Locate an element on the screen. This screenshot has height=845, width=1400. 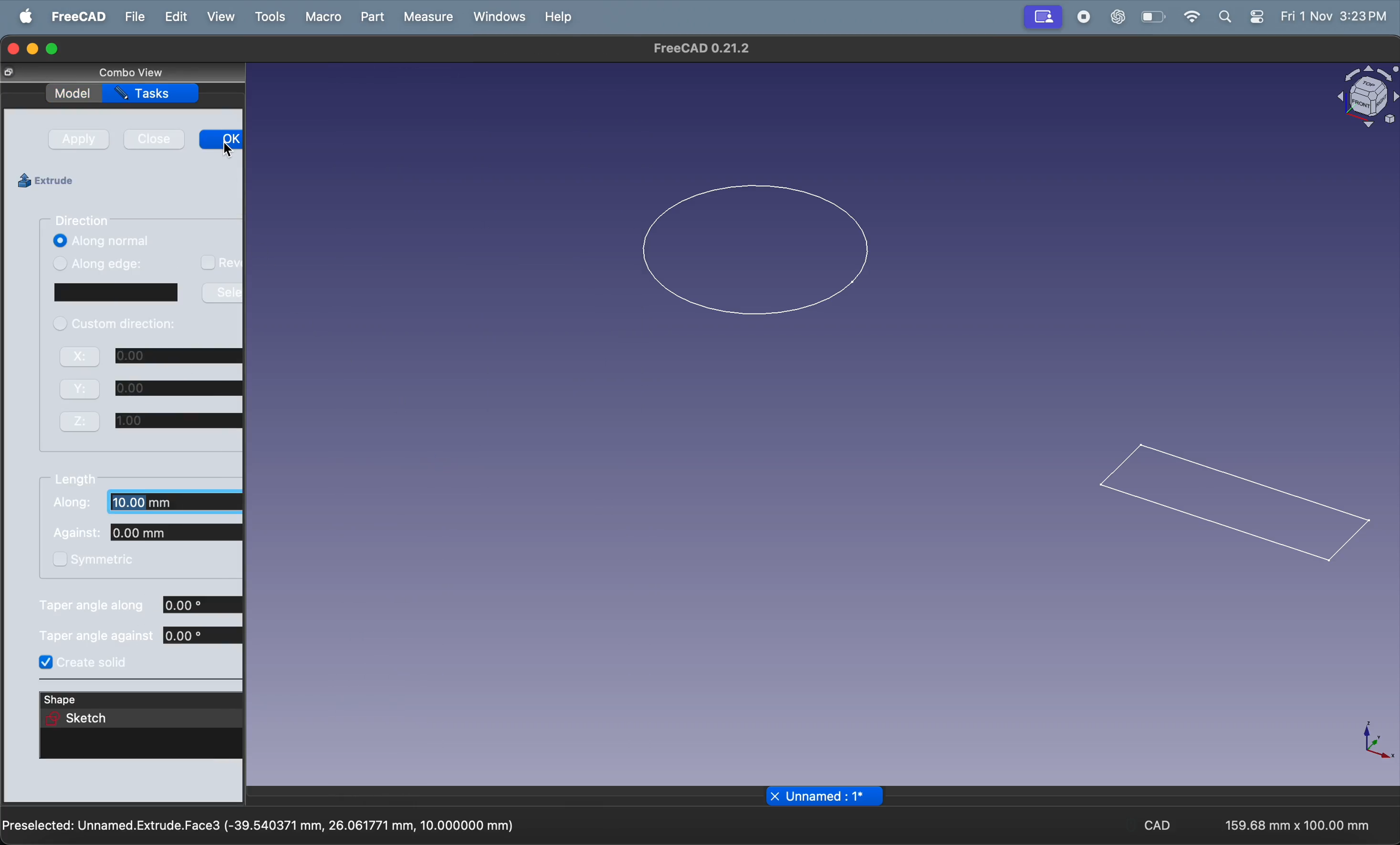
Extrude is located at coordinates (48, 181).